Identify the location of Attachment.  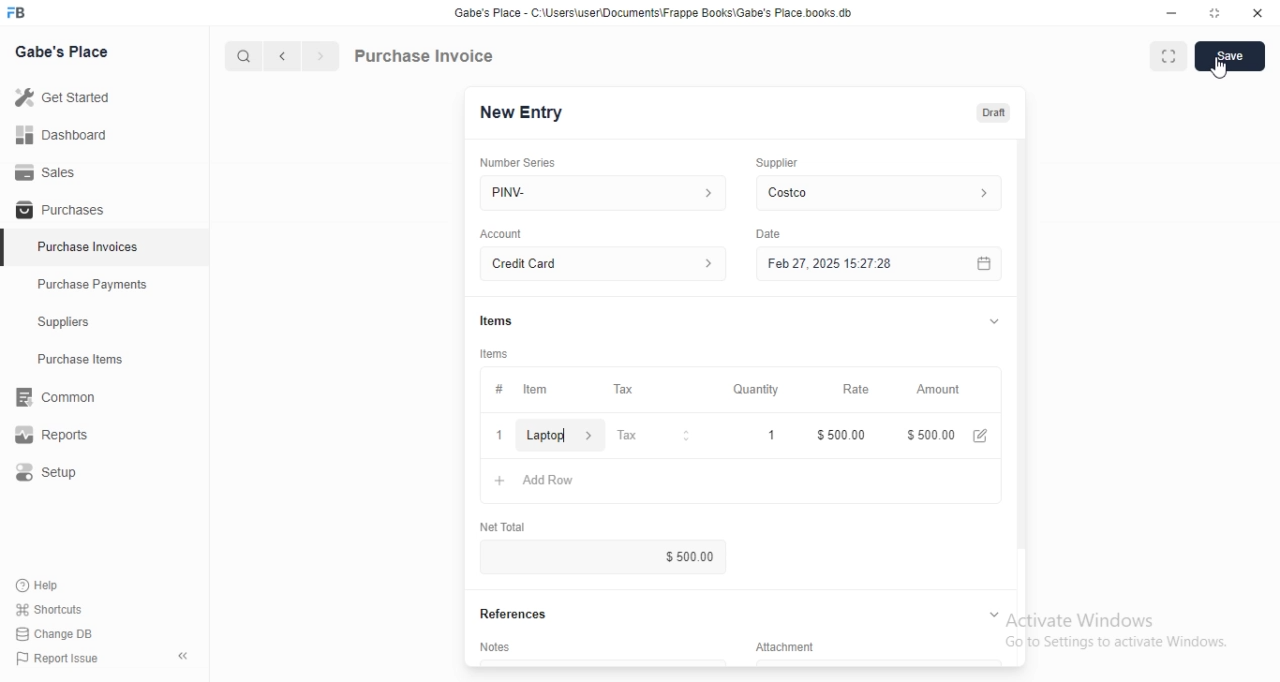
(785, 646).